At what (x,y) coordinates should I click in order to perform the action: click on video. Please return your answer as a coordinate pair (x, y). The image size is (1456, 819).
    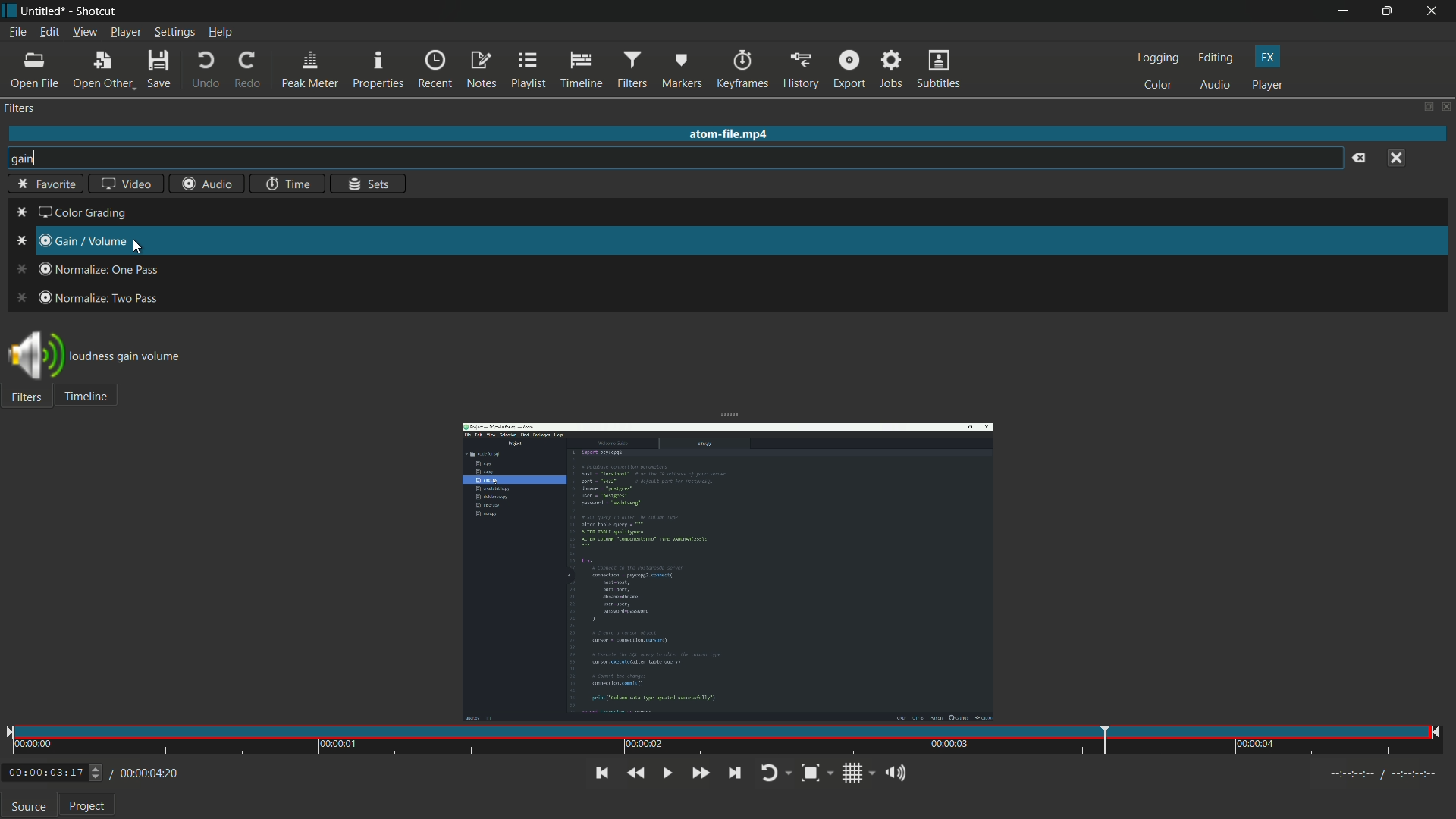
    Looking at the image, I should click on (126, 183).